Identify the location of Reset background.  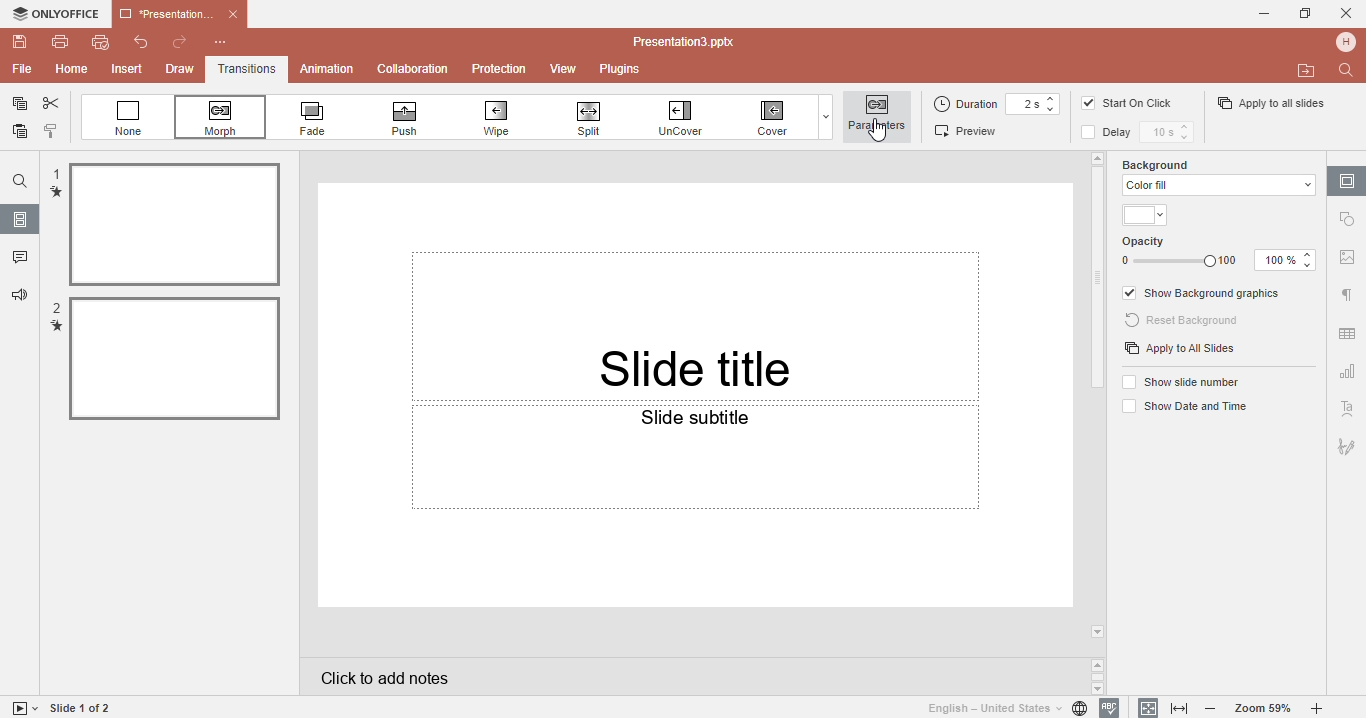
(1185, 321).